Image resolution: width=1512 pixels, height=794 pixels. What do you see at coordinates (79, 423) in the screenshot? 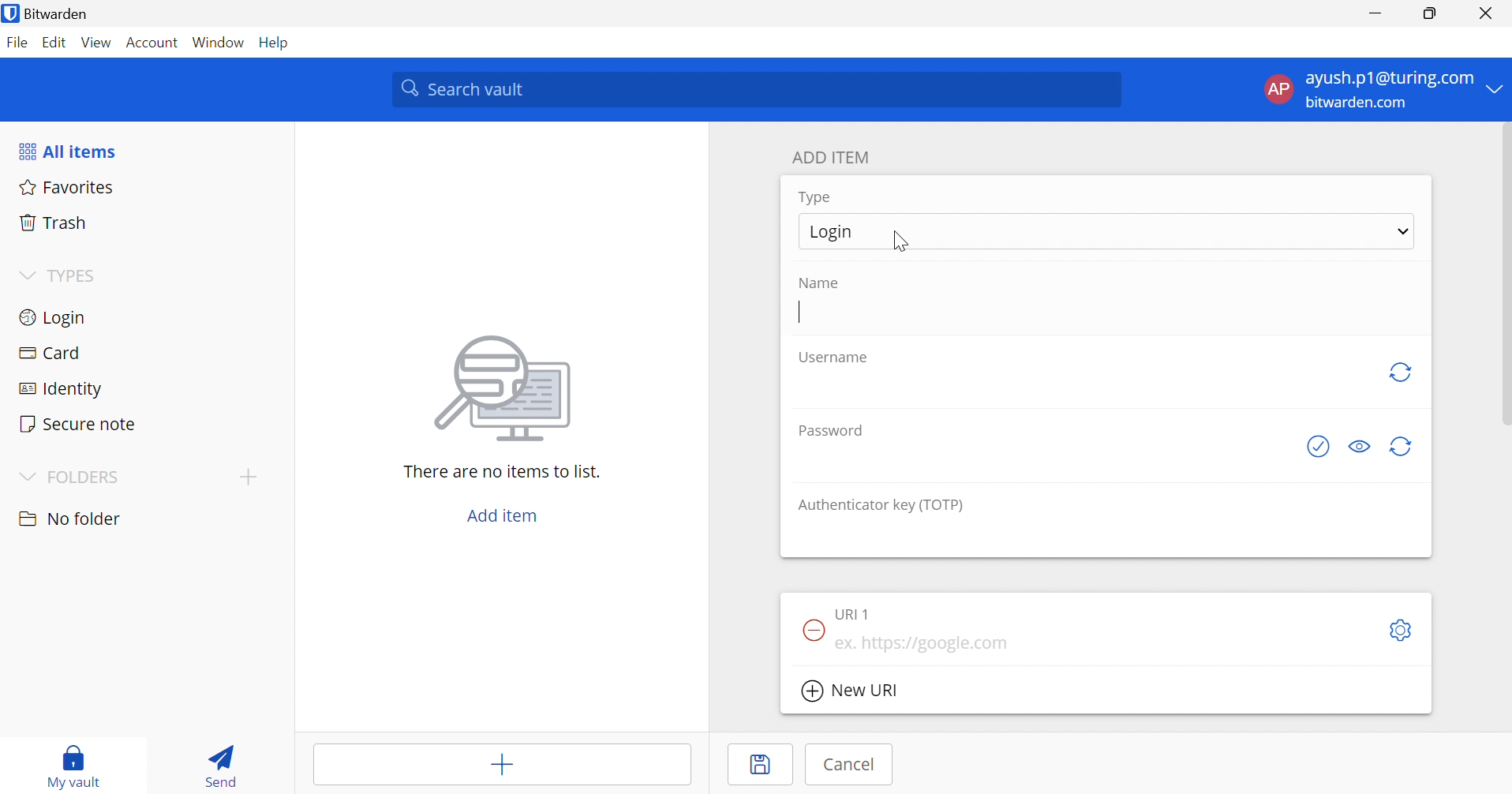
I see `Secure note` at bounding box center [79, 423].